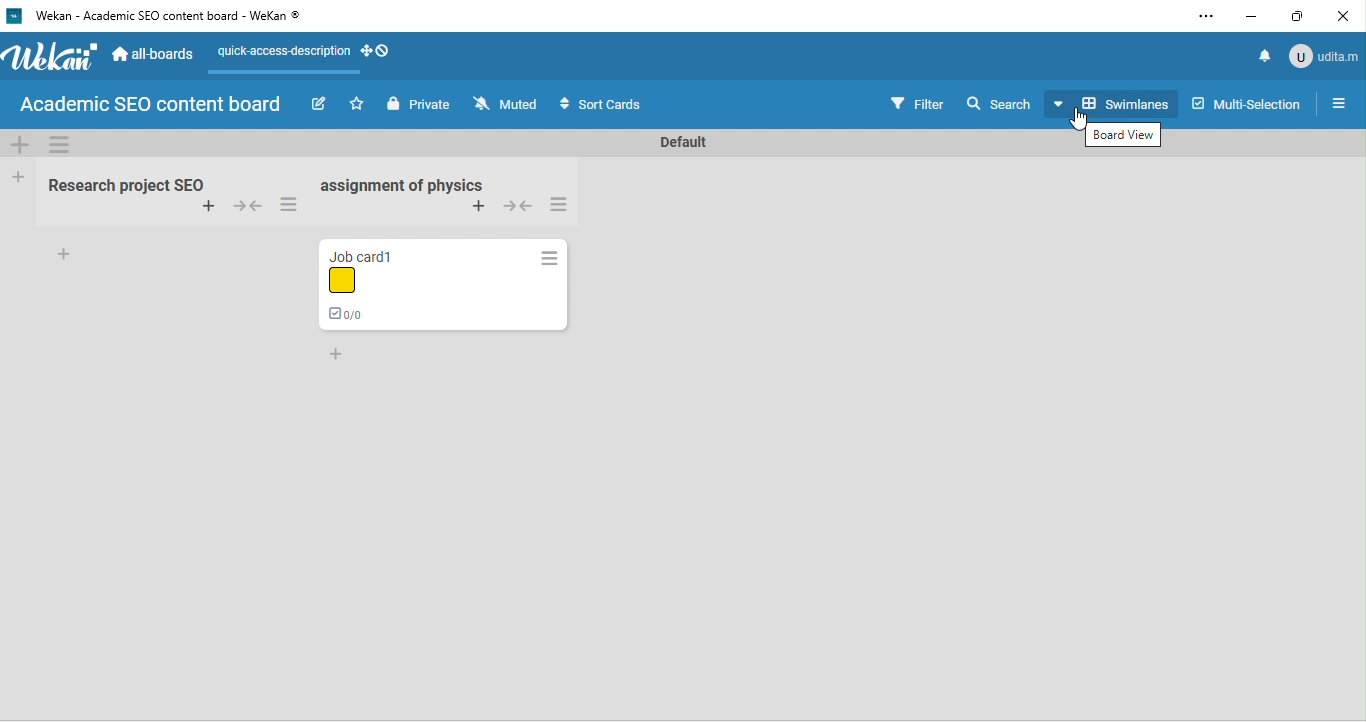  Describe the element at coordinates (205, 208) in the screenshot. I see `add card` at that location.